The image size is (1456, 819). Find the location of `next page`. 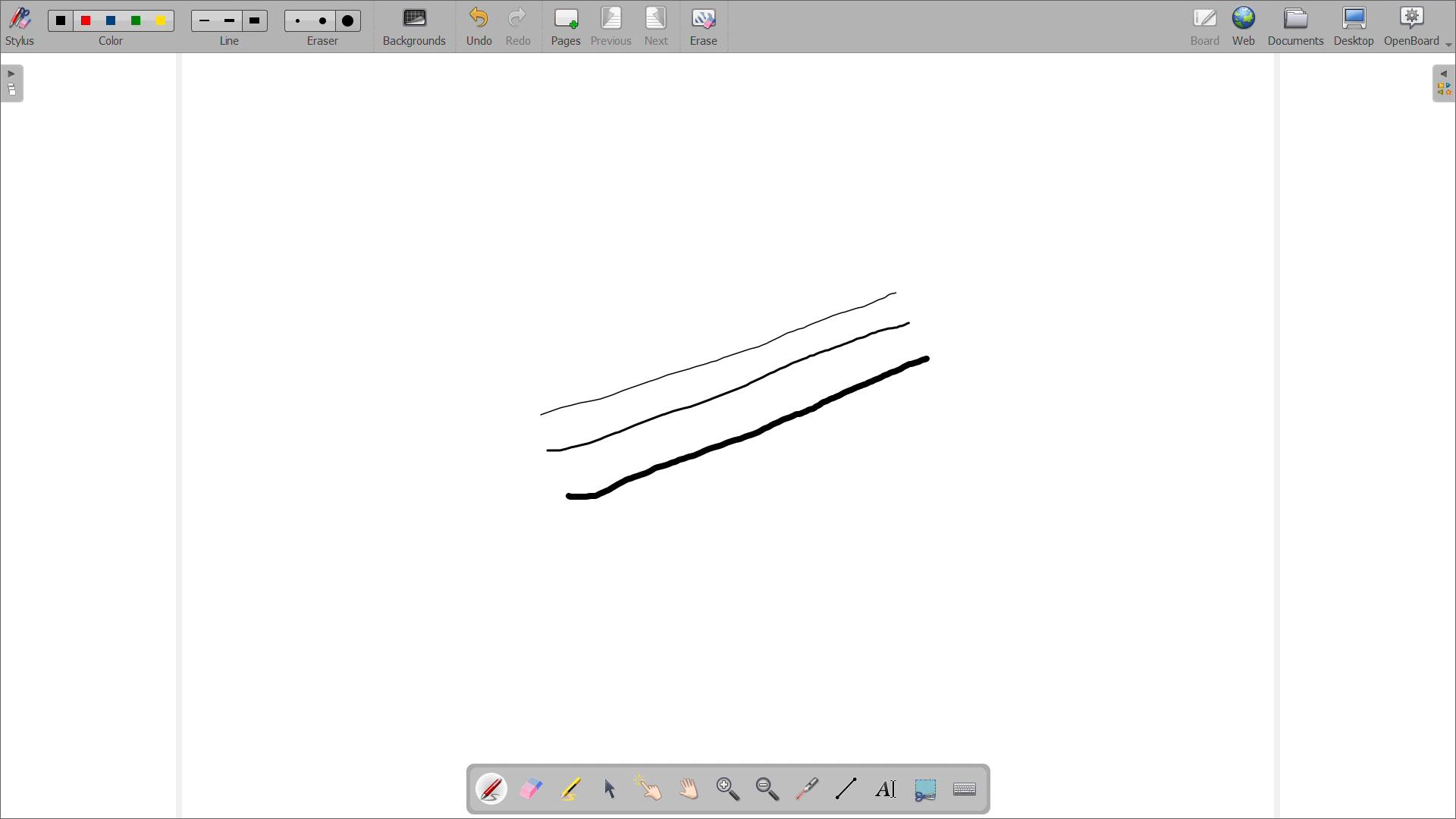

next page is located at coordinates (657, 27).